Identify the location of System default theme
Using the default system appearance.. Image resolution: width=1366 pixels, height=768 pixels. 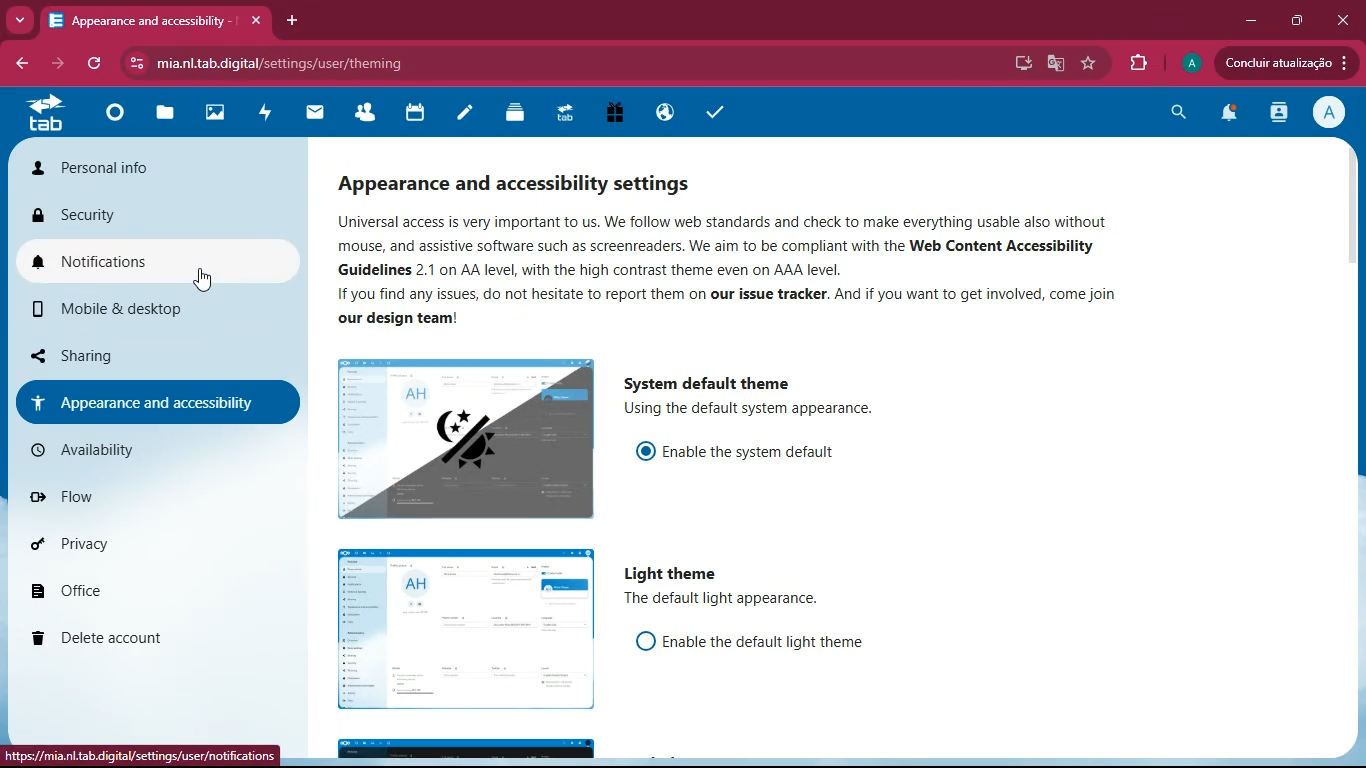
(749, 400).